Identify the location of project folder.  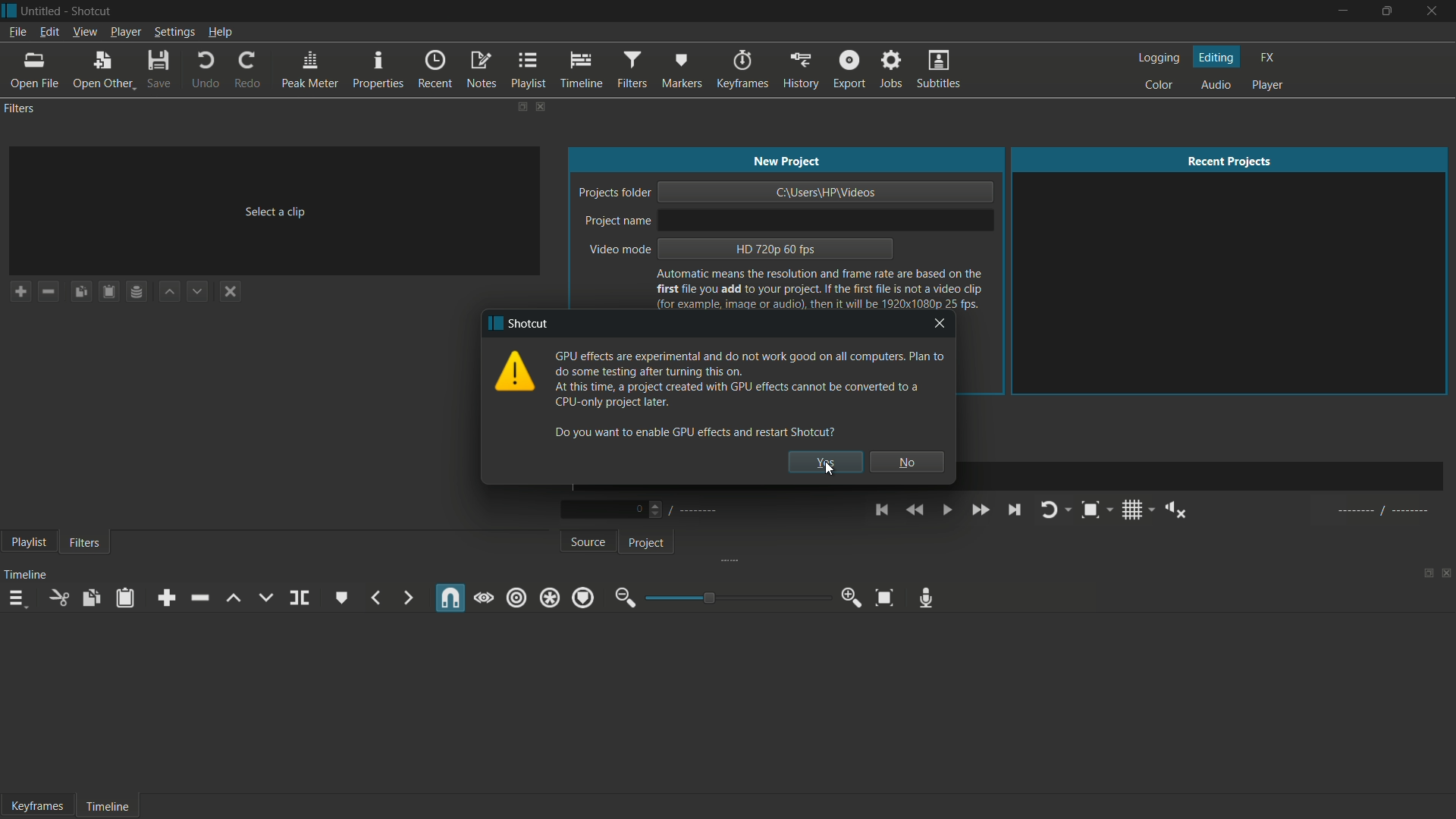
(613, 193).